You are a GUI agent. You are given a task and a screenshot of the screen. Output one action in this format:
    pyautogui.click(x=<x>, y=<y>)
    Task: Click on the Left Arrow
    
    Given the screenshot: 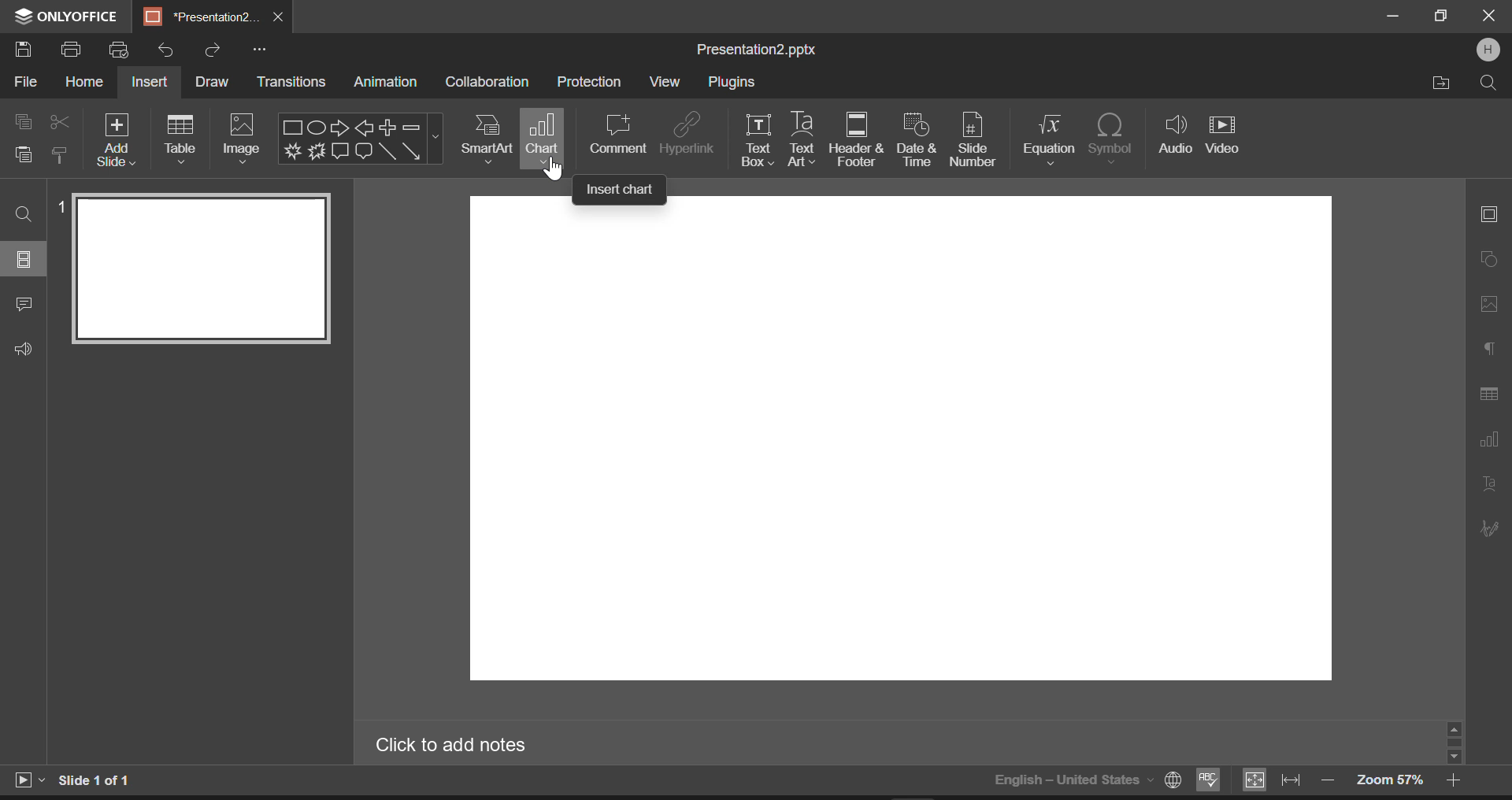 What is the action you would take?
    pyautogui.click(x=364, y=127)
    